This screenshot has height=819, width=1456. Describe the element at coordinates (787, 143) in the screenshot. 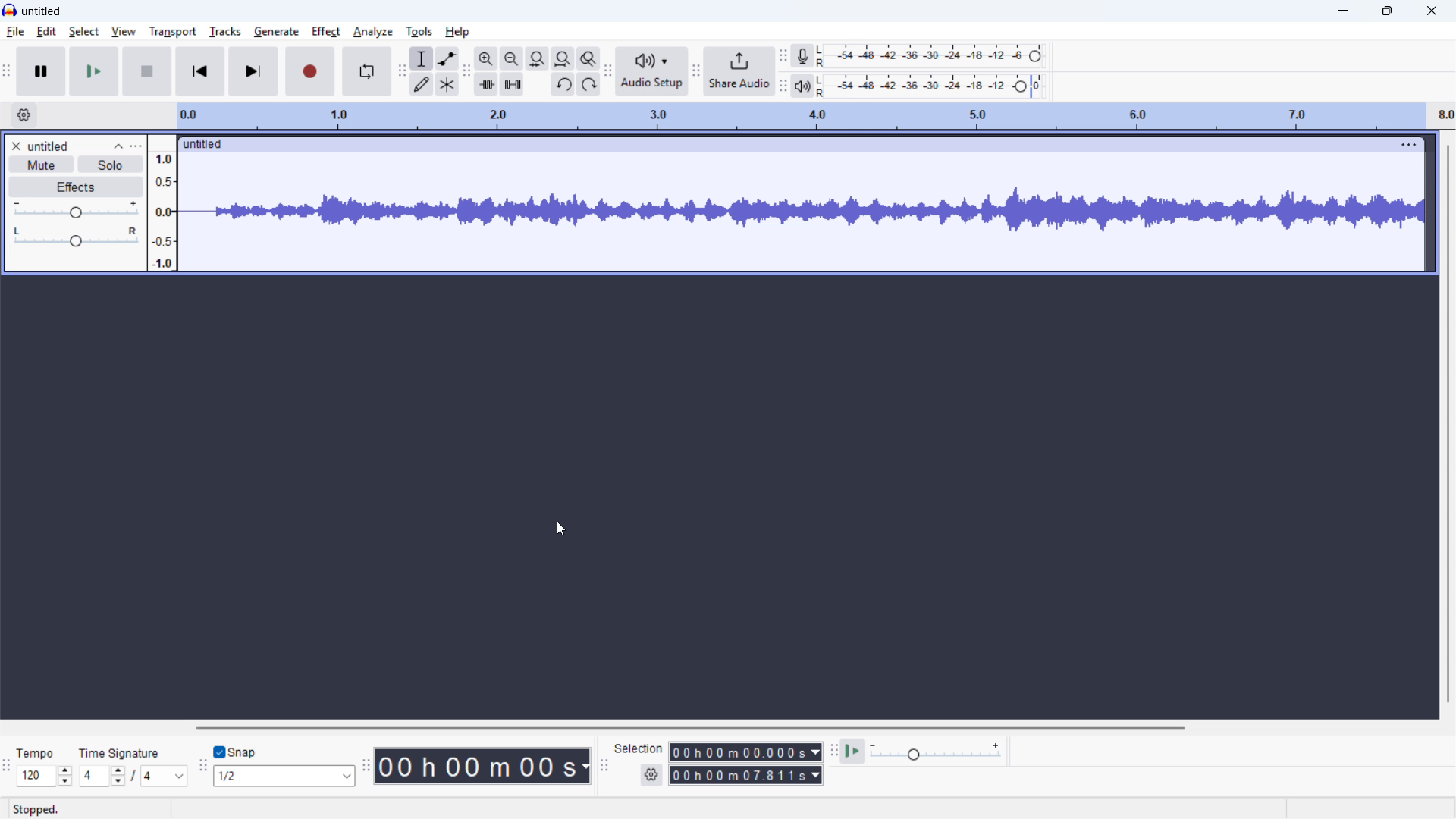

I see `Click to drag ` at that location.